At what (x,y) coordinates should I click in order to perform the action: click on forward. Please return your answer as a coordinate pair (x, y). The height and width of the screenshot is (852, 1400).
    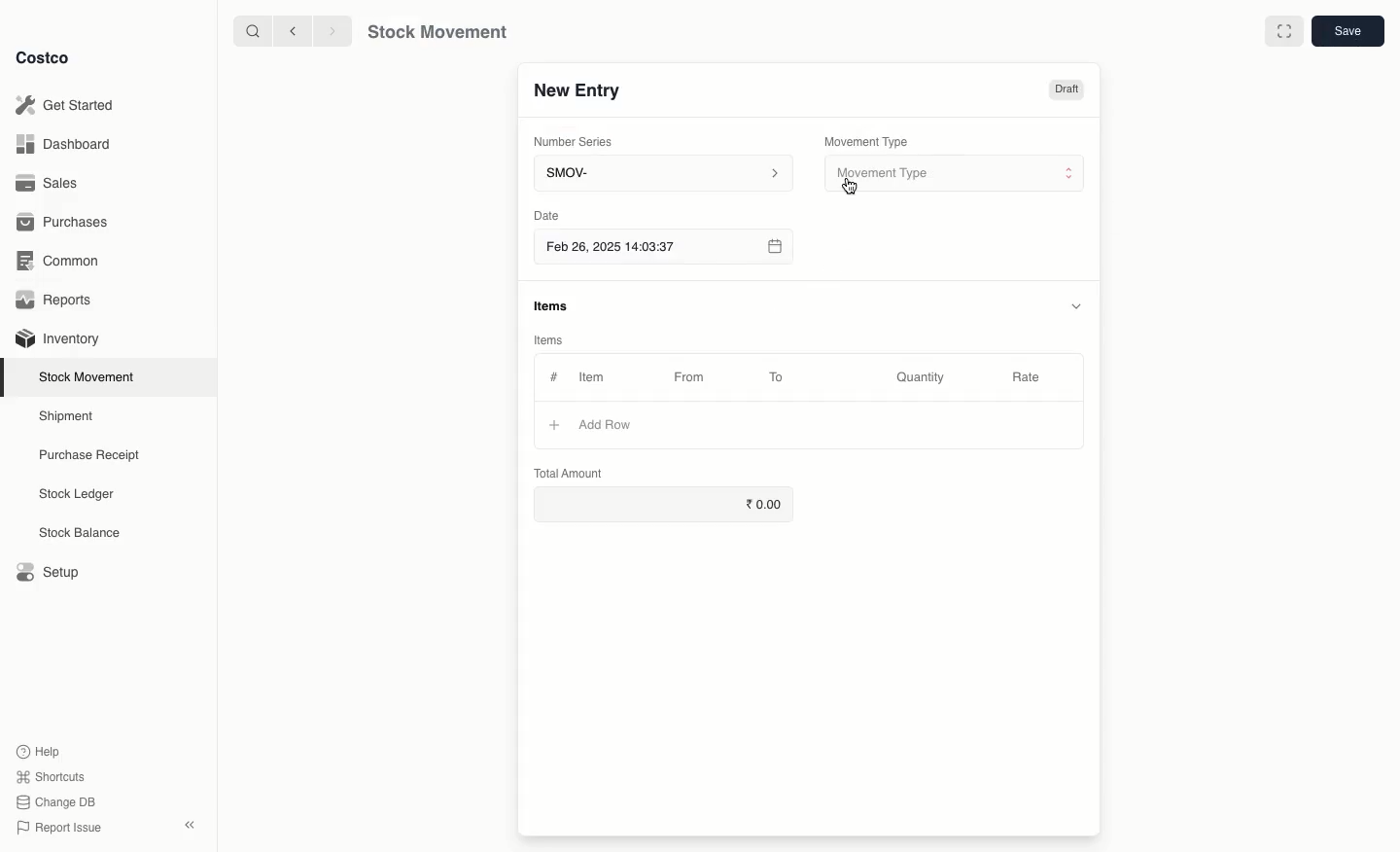
    Looking at the image, I should click on (328, 30).